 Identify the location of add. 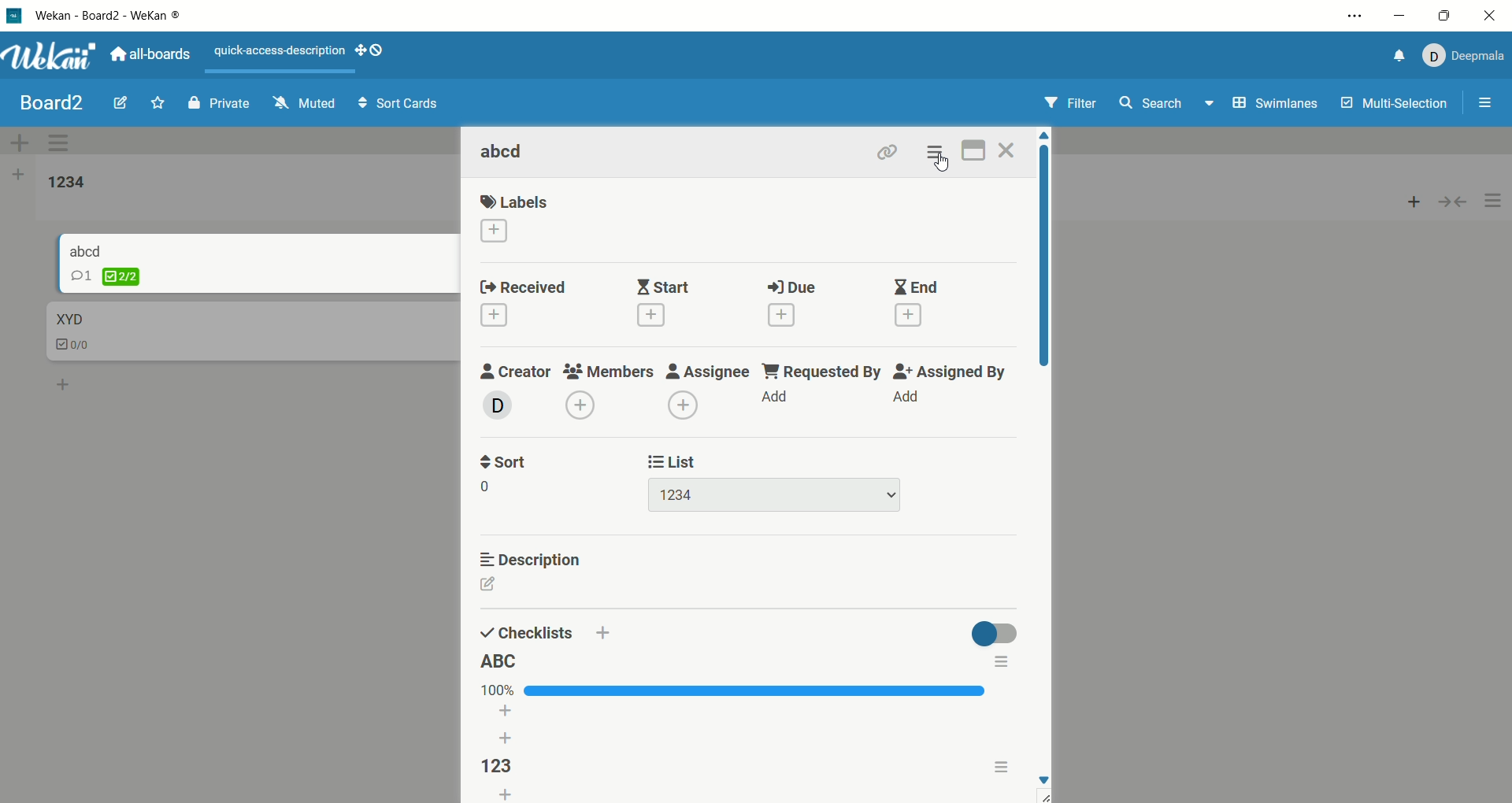
(57, 382).